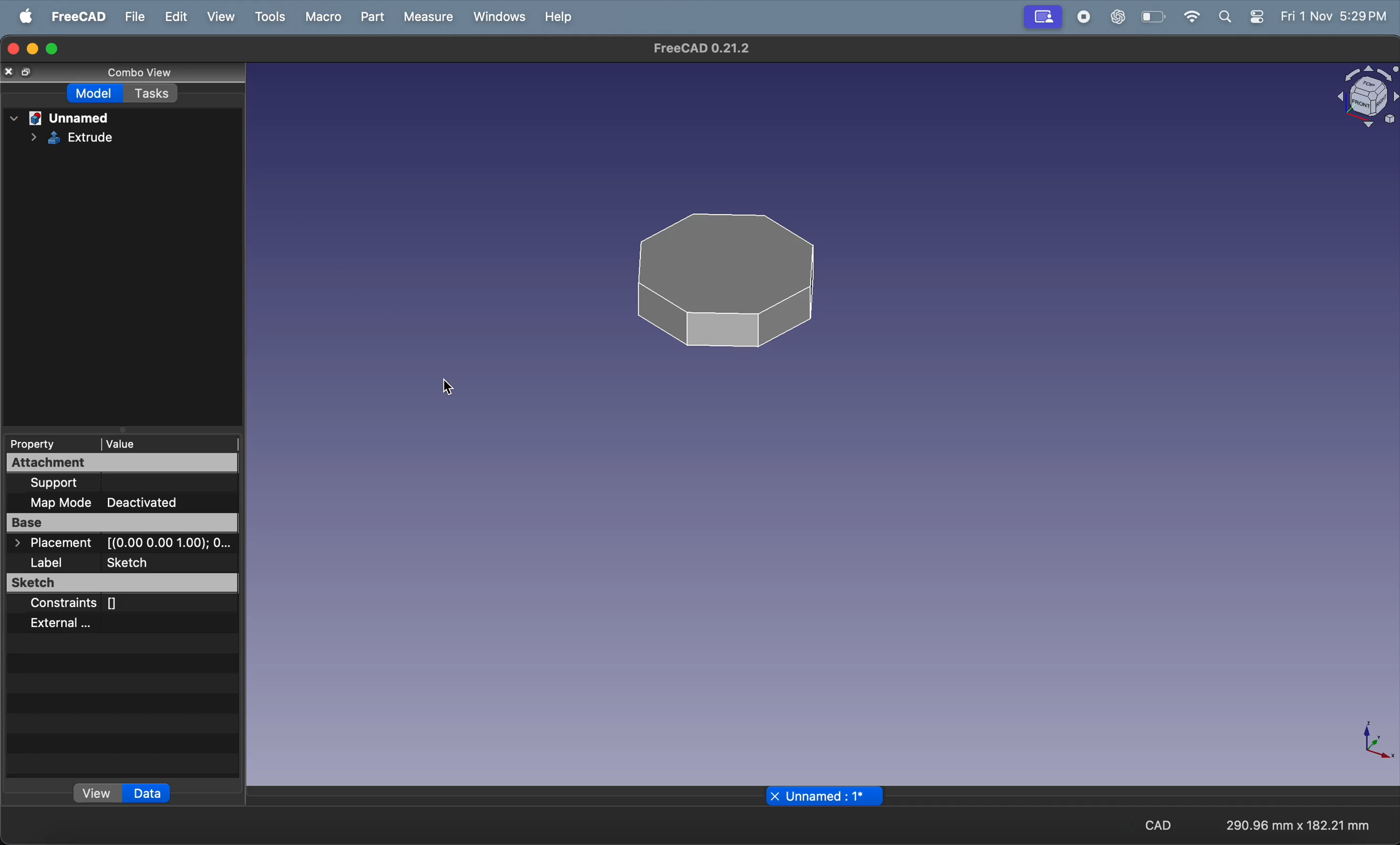  Describe the element at coordinates (137, 72) in the screenshot. I see `combo view` at that location.